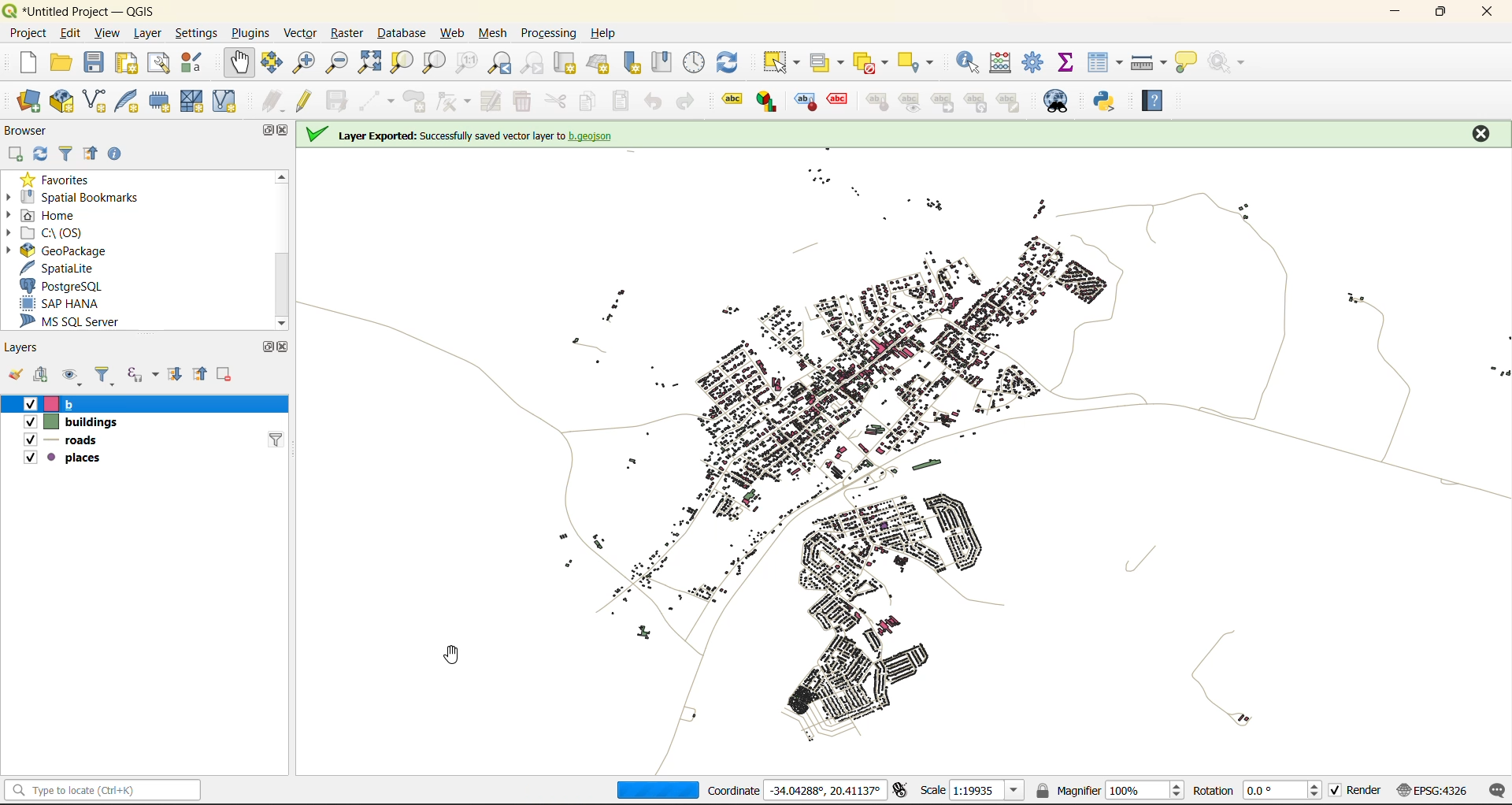 This screenshot has width=1512, height=805. What do you see at coordinates (57, 233) in the screenshot?
I see `c\:os` at bounding box center [57, 233].